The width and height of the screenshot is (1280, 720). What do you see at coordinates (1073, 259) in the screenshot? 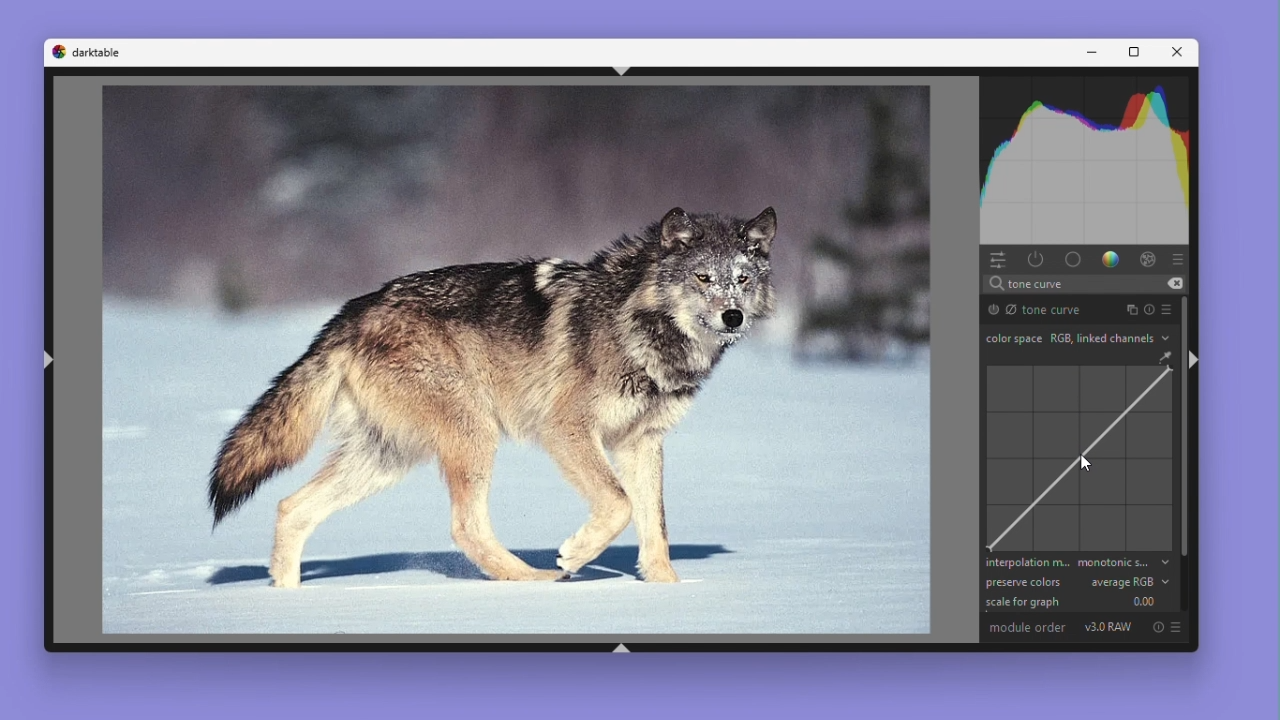
I see `base` at bounding box center [1073, 259].